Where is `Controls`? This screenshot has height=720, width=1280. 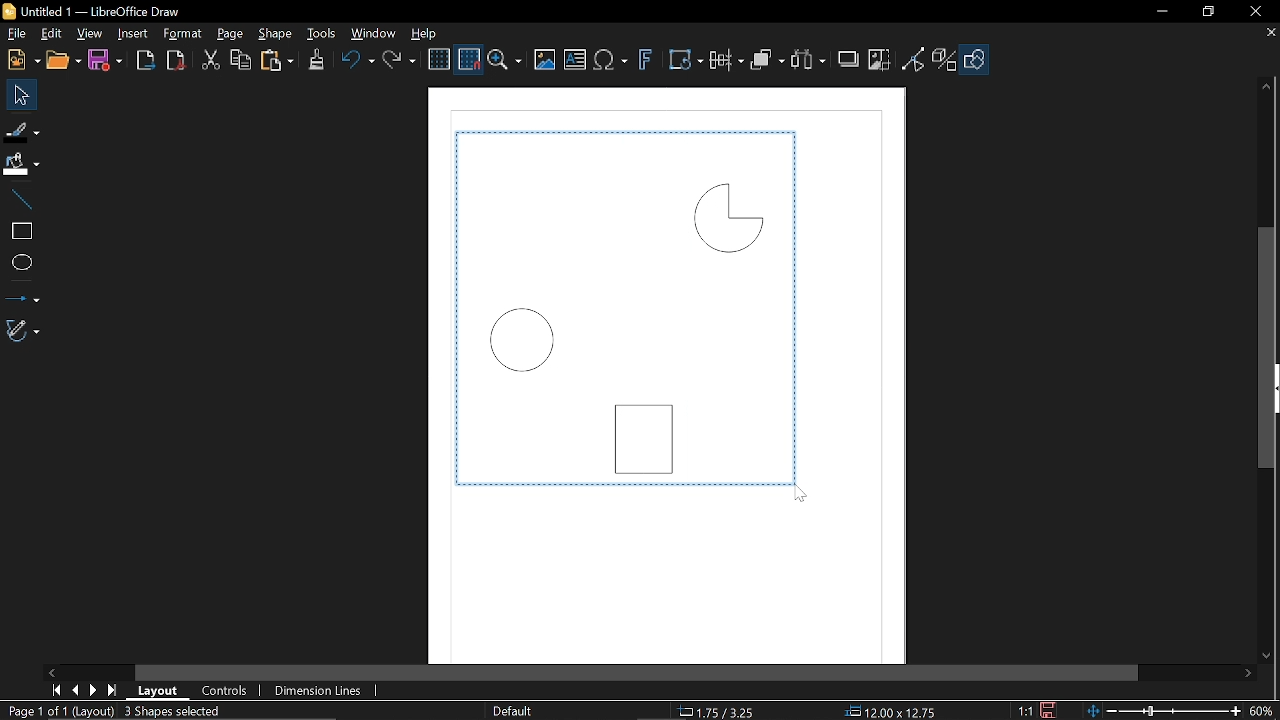 Controls is located at coordinates (225, 690).